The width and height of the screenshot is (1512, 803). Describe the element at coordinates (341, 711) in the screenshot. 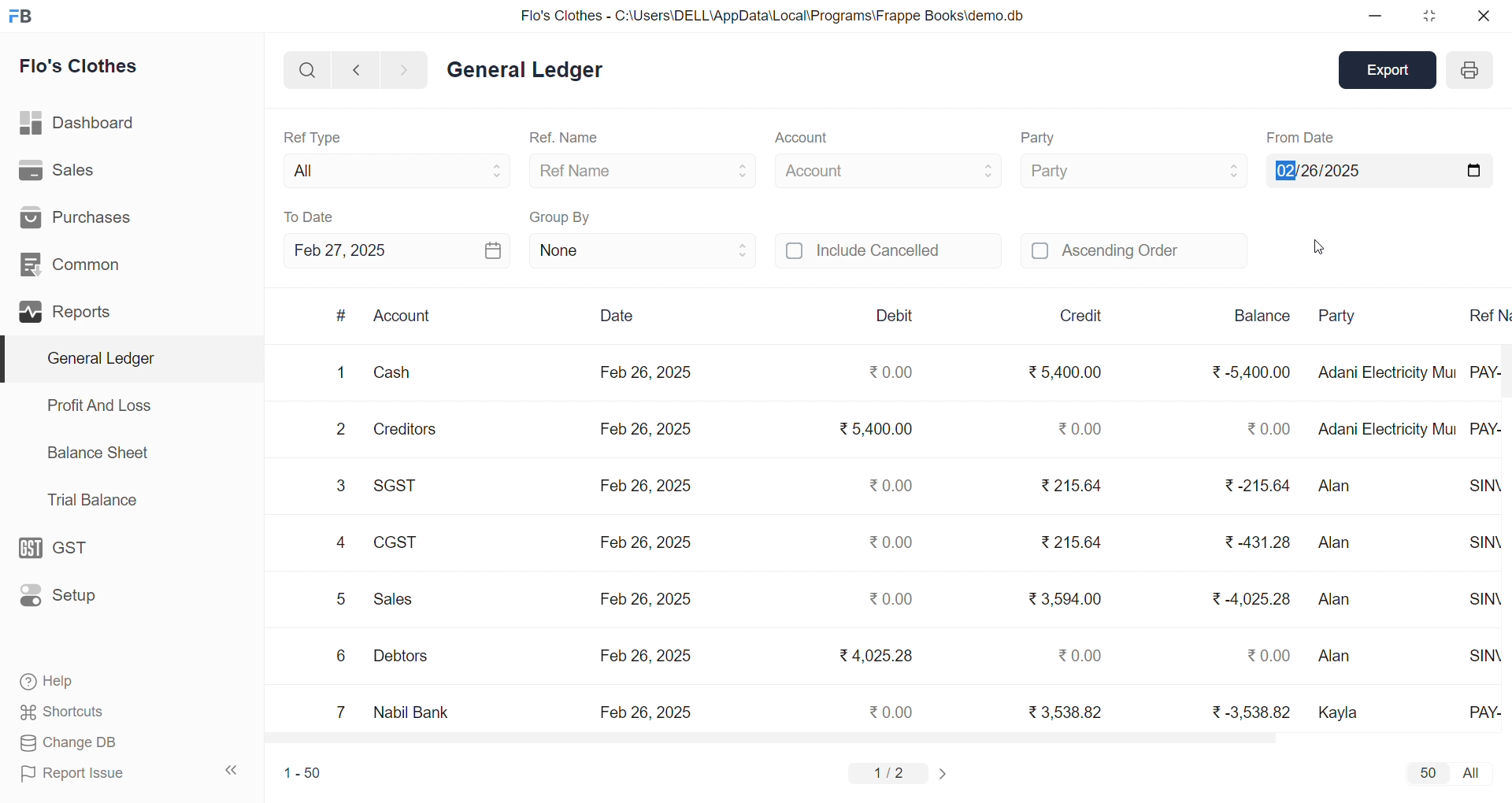

I see `7` at that location.